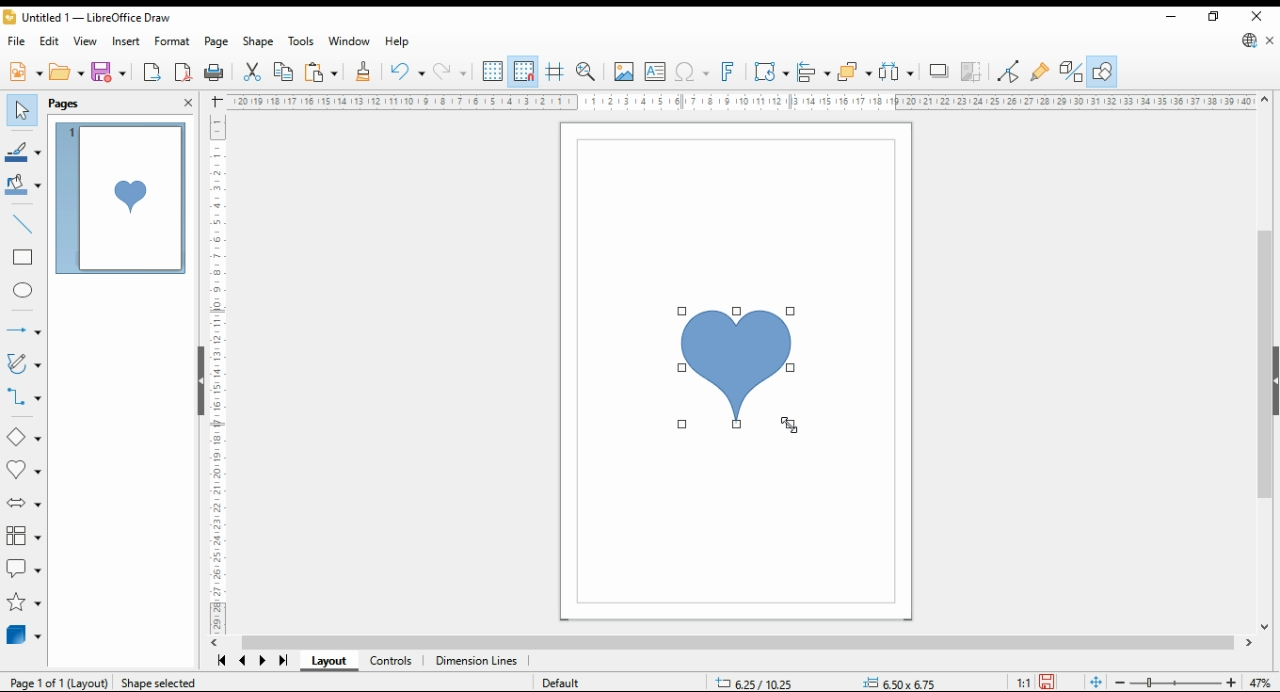  What do you see at coordinates (524, 70) in the screenshot?
I see `snap to grid` at bounding box center [524, 70].